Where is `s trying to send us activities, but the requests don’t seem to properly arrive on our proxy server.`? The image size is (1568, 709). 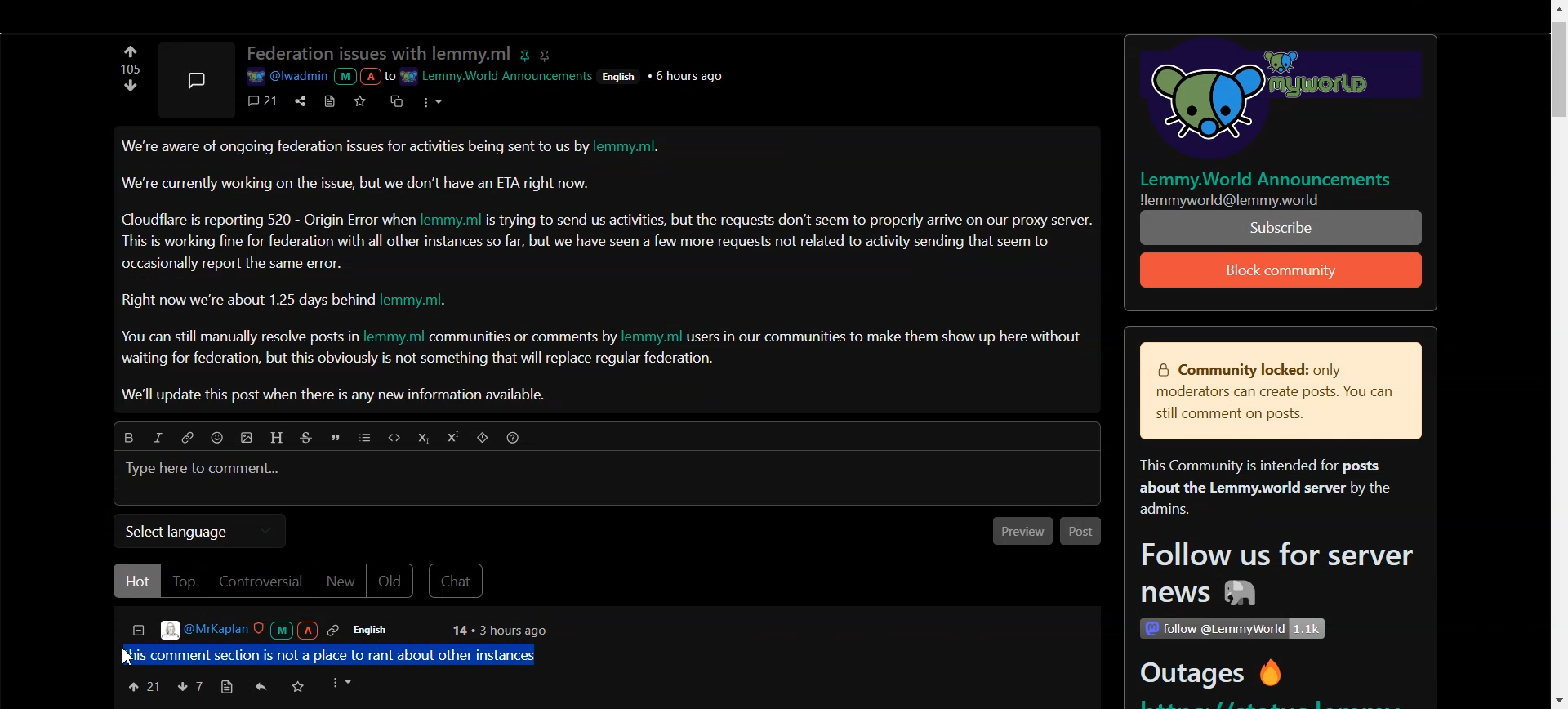 s trying to send us activities, but the requests don’t seem to properly arrive on our proxy server. is located at coordinates (791, 221).